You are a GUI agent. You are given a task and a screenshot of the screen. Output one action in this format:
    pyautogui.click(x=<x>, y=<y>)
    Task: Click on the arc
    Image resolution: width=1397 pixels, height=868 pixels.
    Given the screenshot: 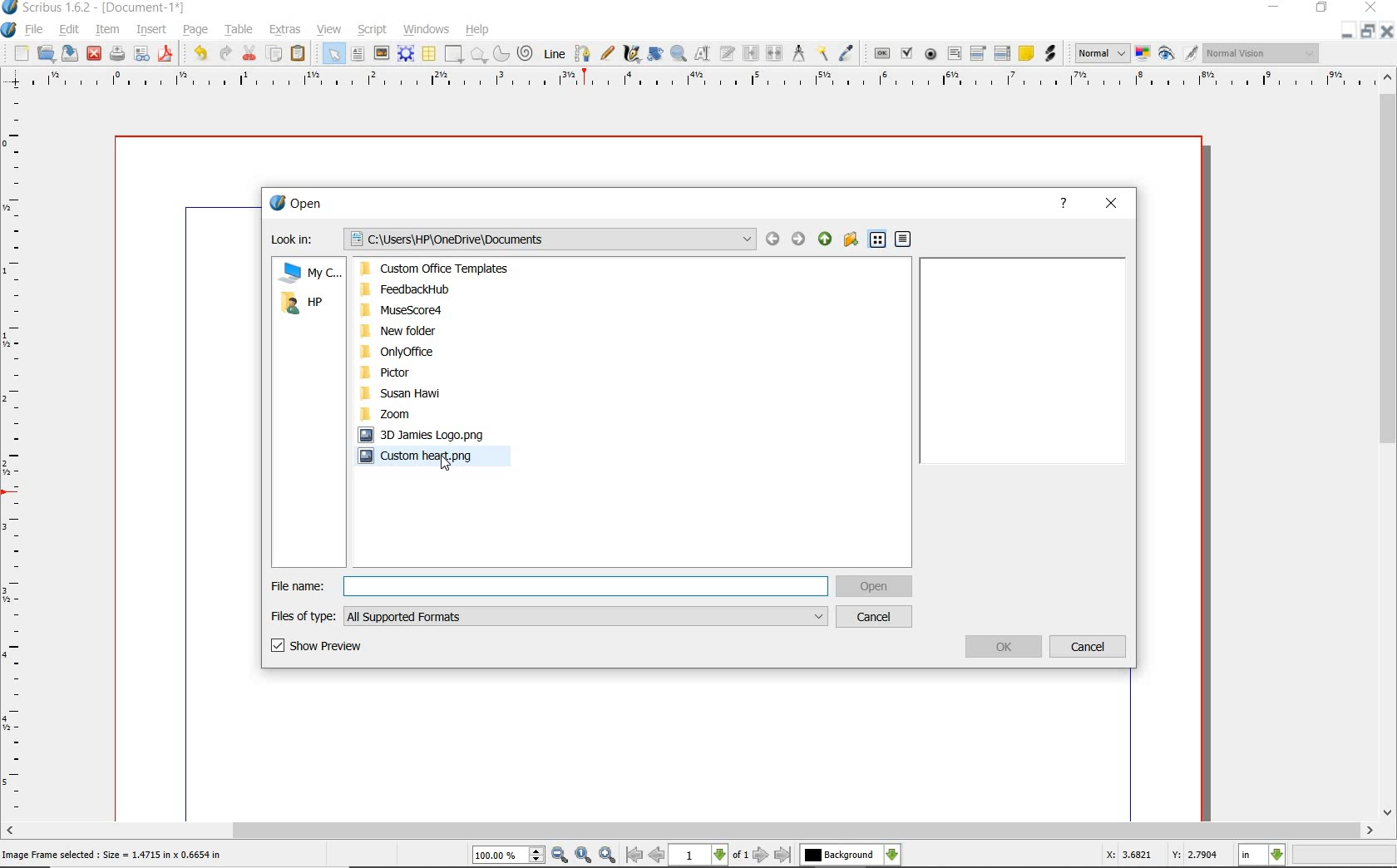 What is the action you would take?
    pyautogui.click(x=503, y=55)
    